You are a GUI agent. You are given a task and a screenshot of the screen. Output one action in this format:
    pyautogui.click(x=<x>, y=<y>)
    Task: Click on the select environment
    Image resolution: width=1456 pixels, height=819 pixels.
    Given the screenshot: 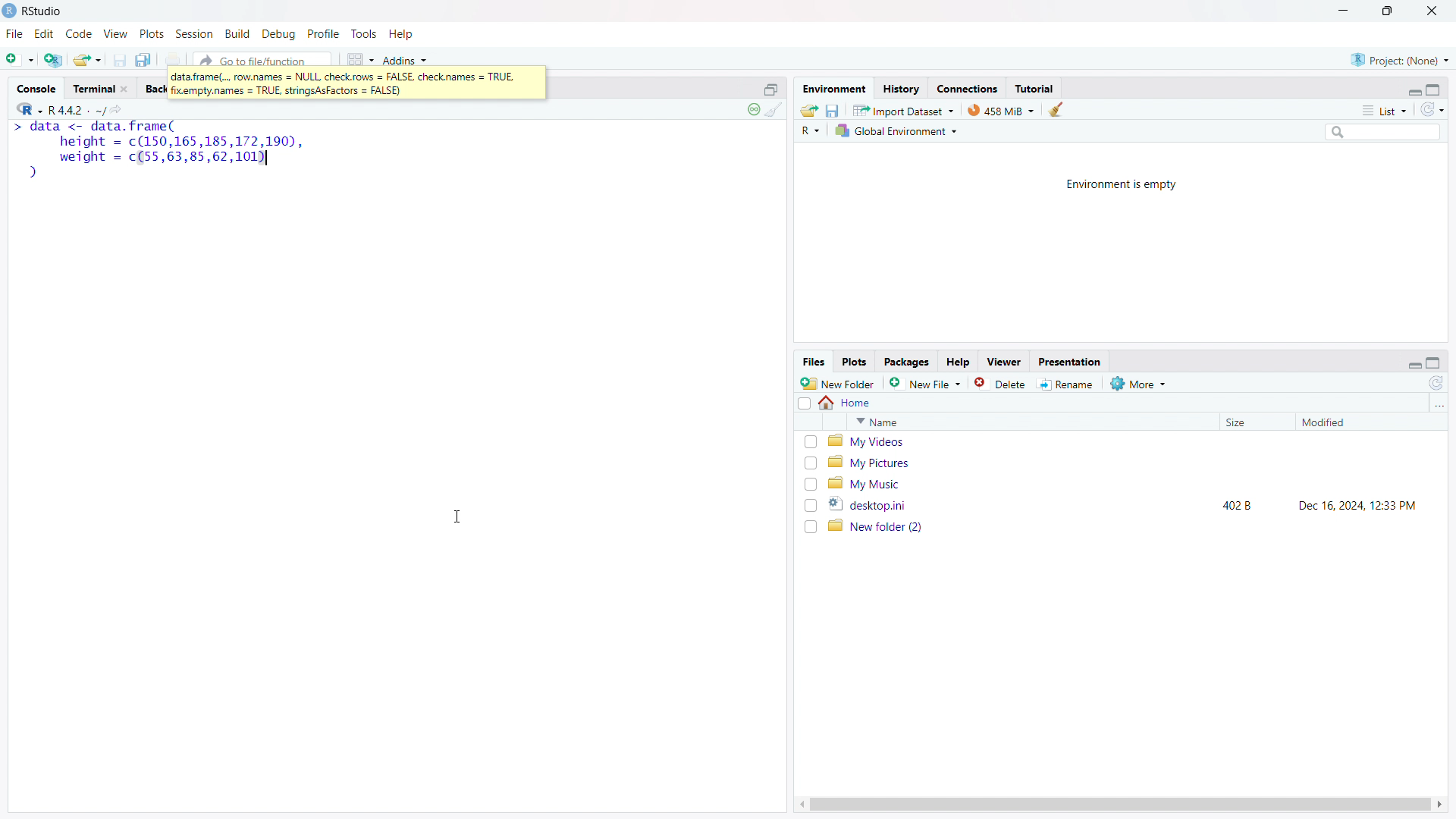 What is the action you would take?
    pyautogui.click(x=898, y=131)
    